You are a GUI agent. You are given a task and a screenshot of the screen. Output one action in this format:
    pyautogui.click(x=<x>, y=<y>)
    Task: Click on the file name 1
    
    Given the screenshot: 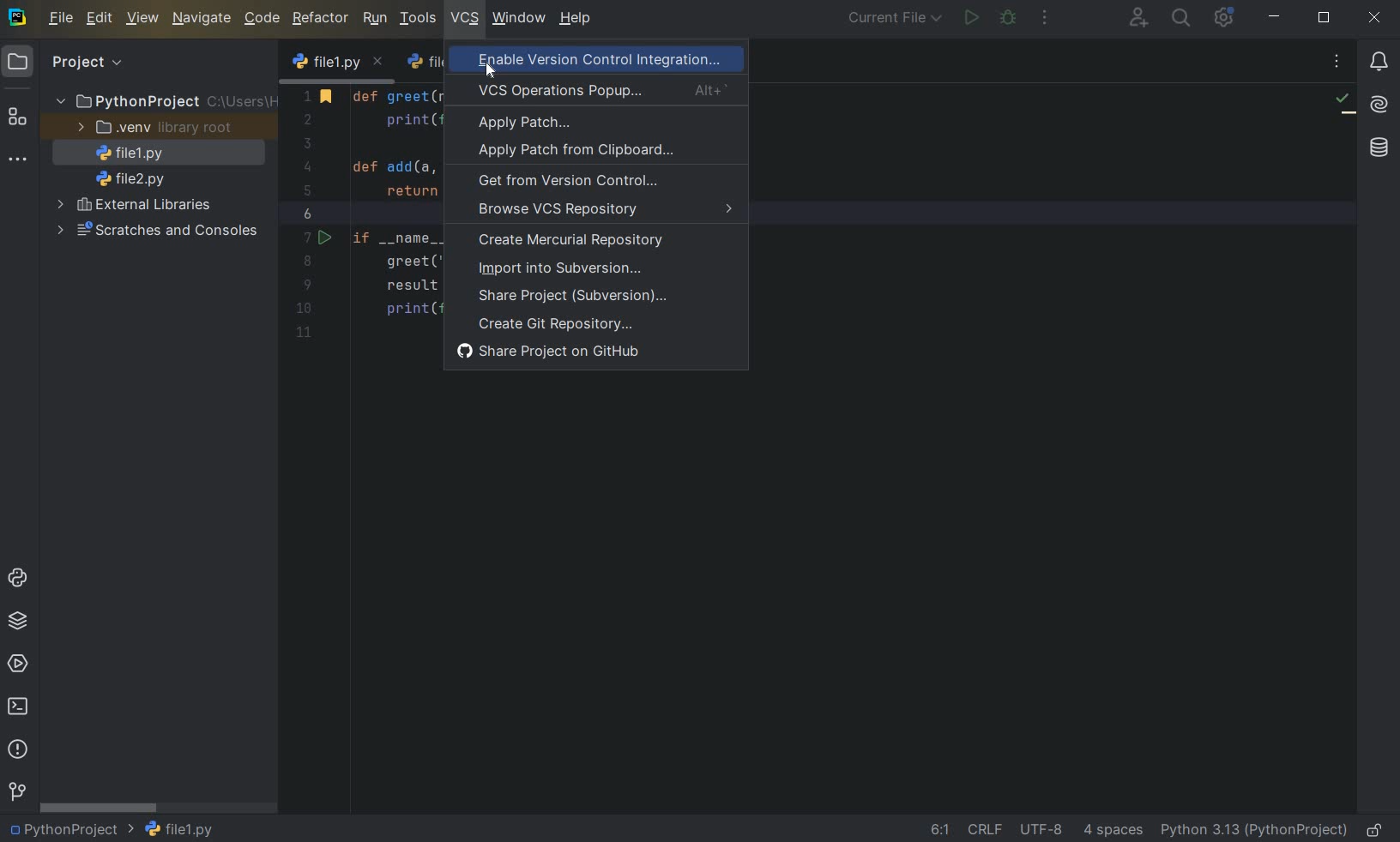 What is the action you would take?
    pyautogui.click(x=125, y=153)
    